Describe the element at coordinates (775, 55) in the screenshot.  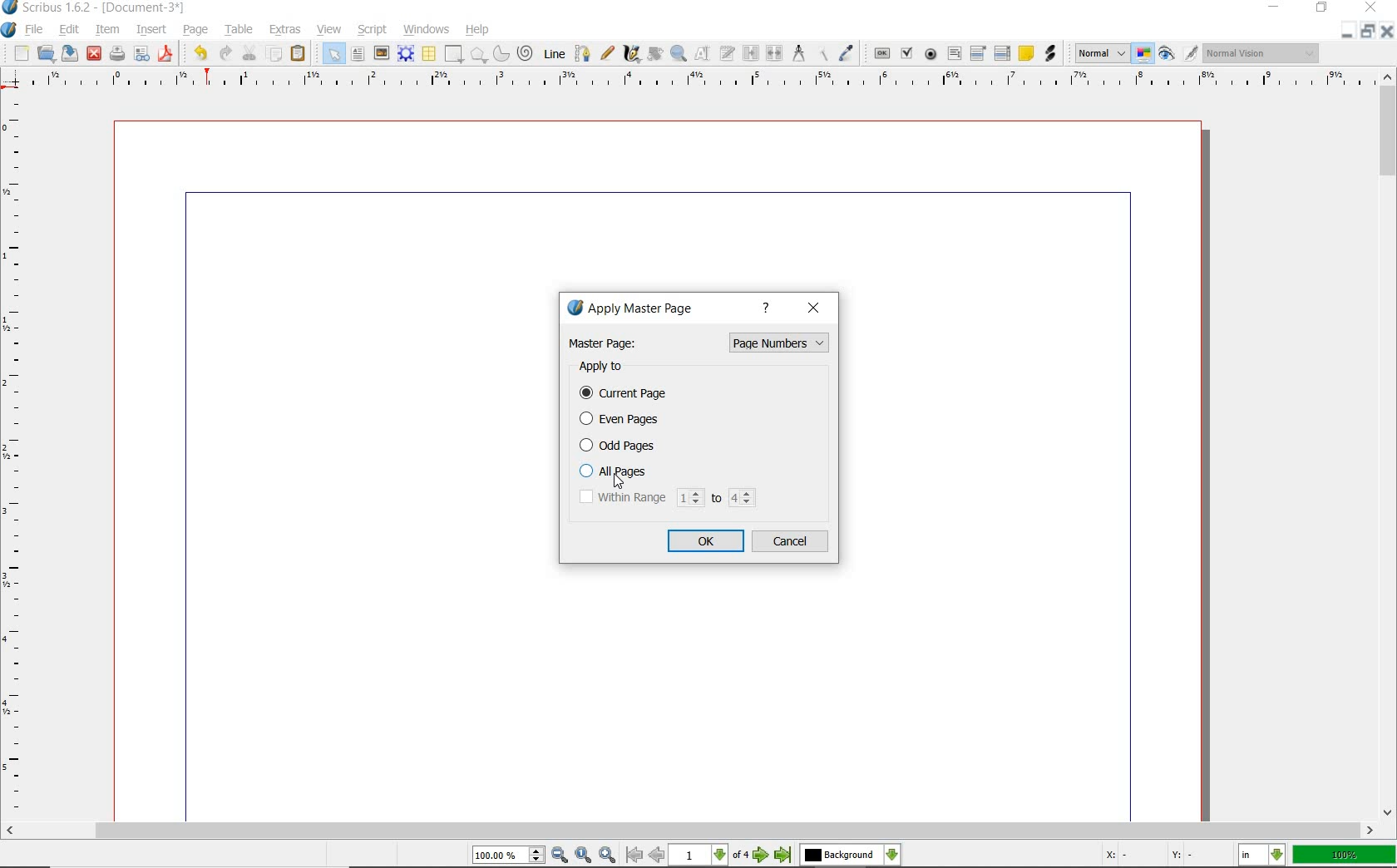
I see `unlink text frames` at that location.